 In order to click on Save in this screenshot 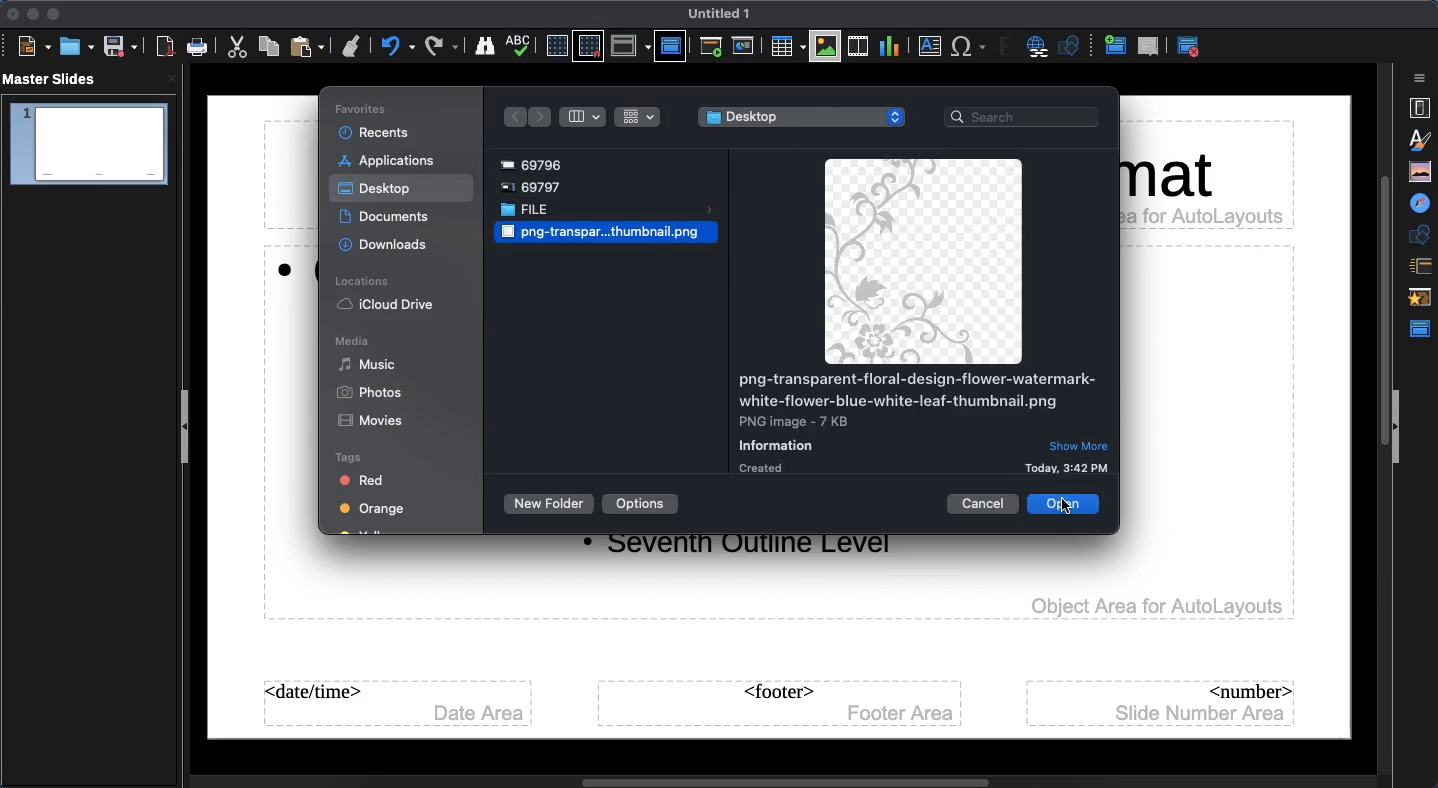, I will do `click(119, 47)`.